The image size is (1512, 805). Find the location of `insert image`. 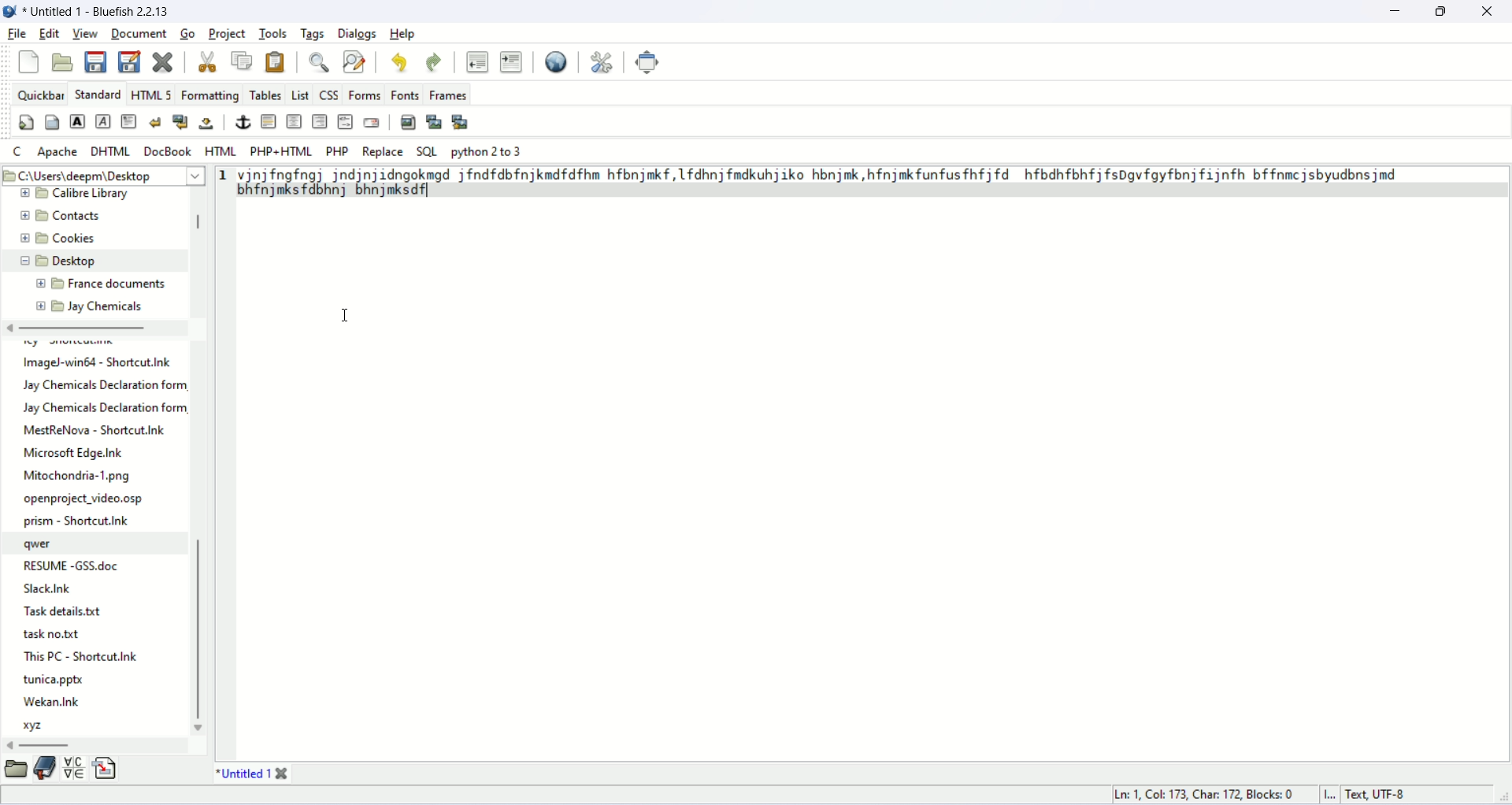

insert image is located at coordinates (408, 122).